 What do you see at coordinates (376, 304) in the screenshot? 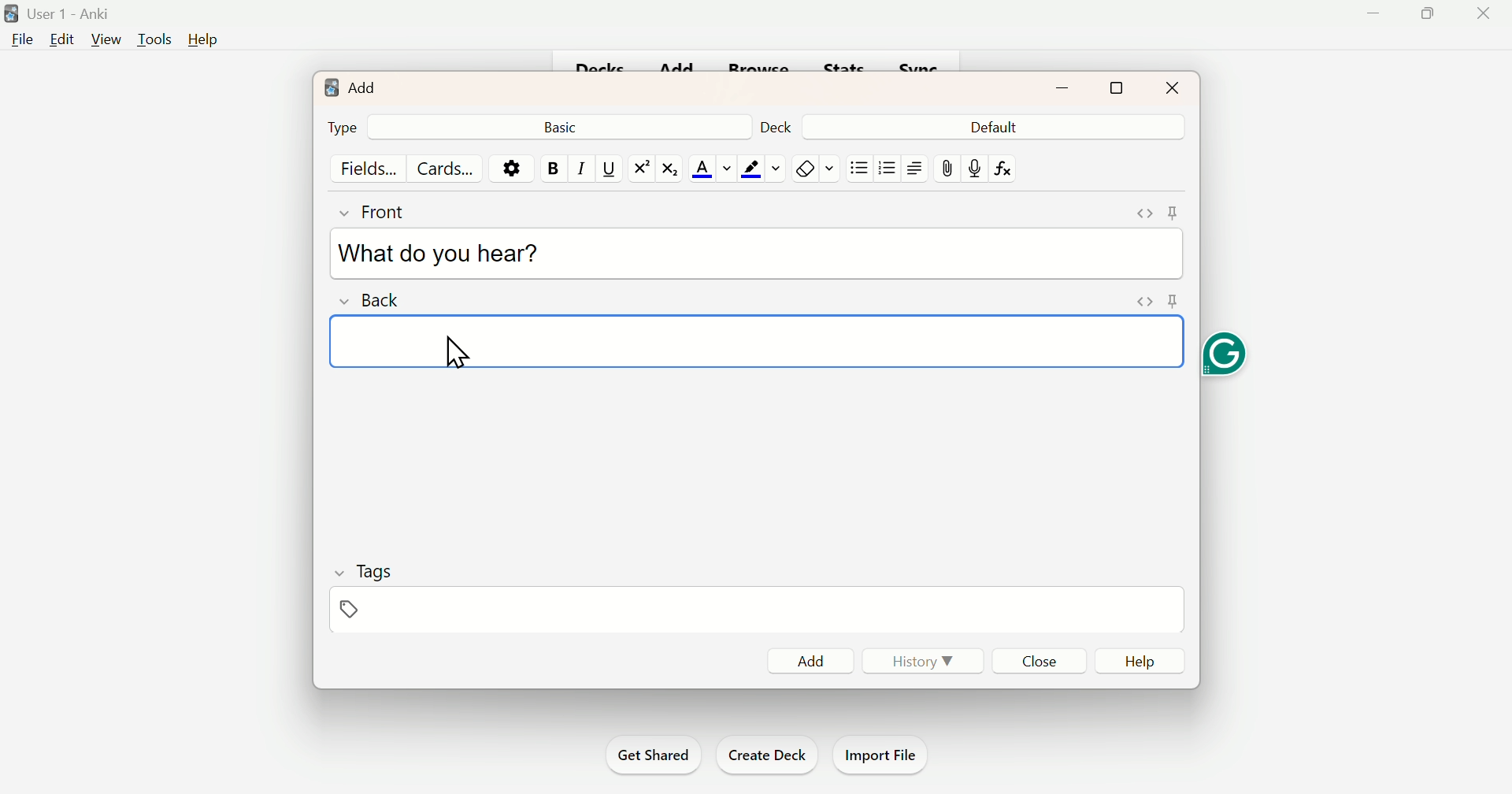
I see `Back` at bounding box center [376, 304].